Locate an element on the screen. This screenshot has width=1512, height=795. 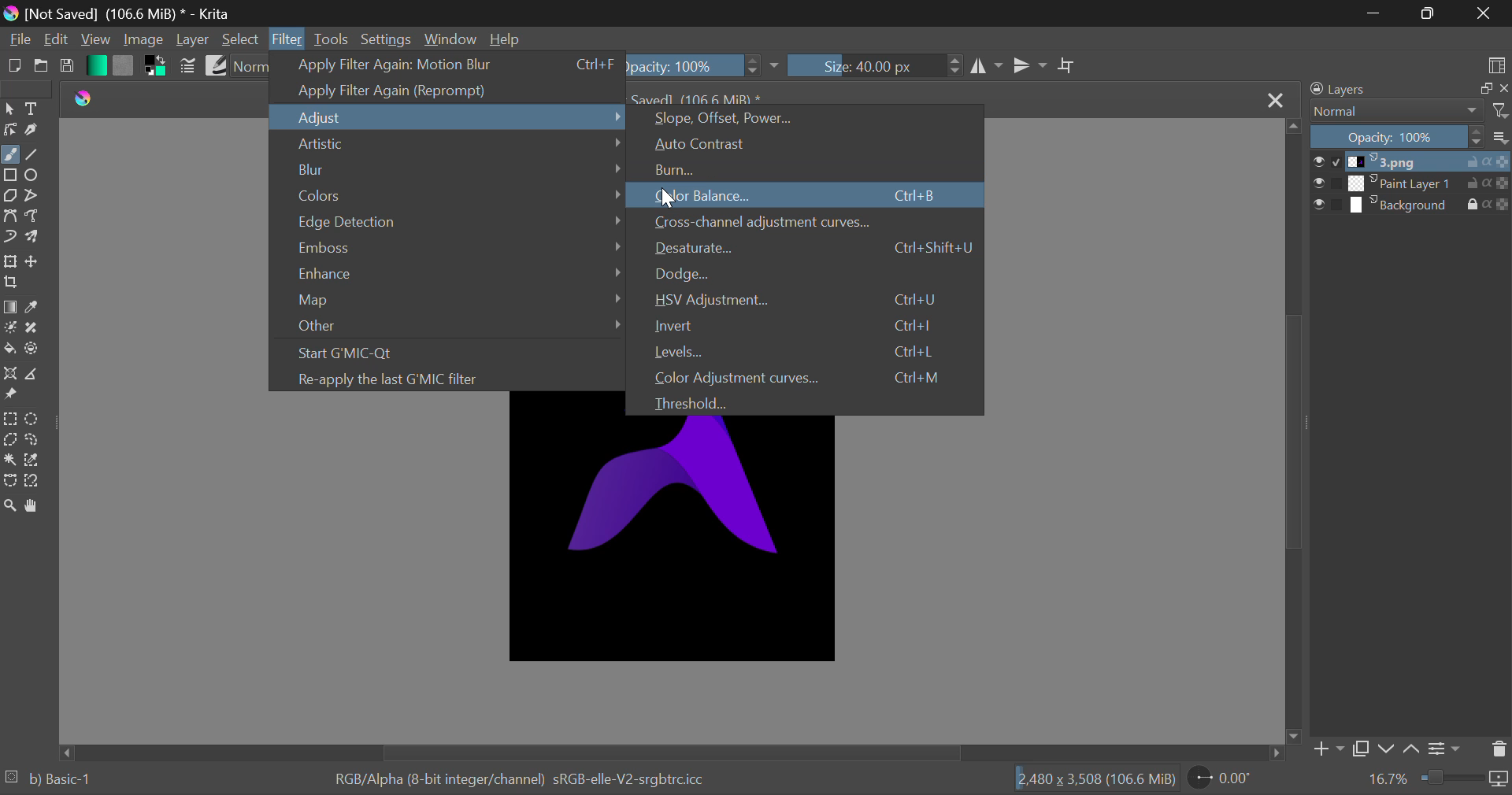
Line is located at coordinates (35, 155).